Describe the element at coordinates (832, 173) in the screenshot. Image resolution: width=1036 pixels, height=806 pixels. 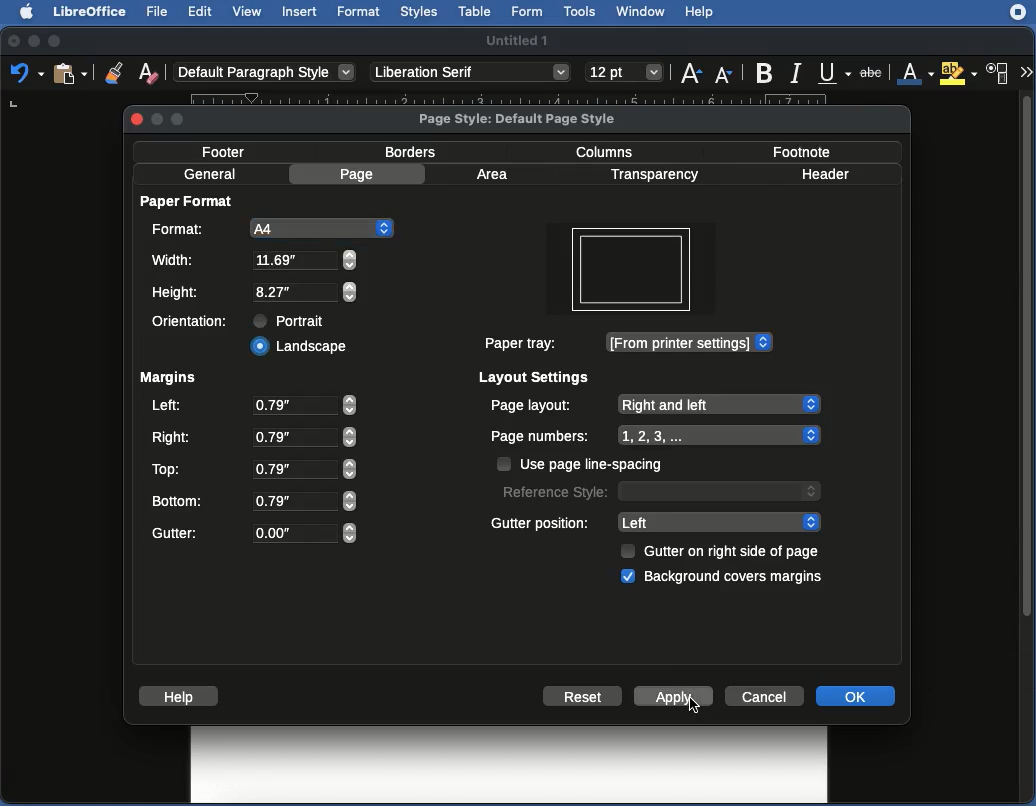
I see `Header` at that location.